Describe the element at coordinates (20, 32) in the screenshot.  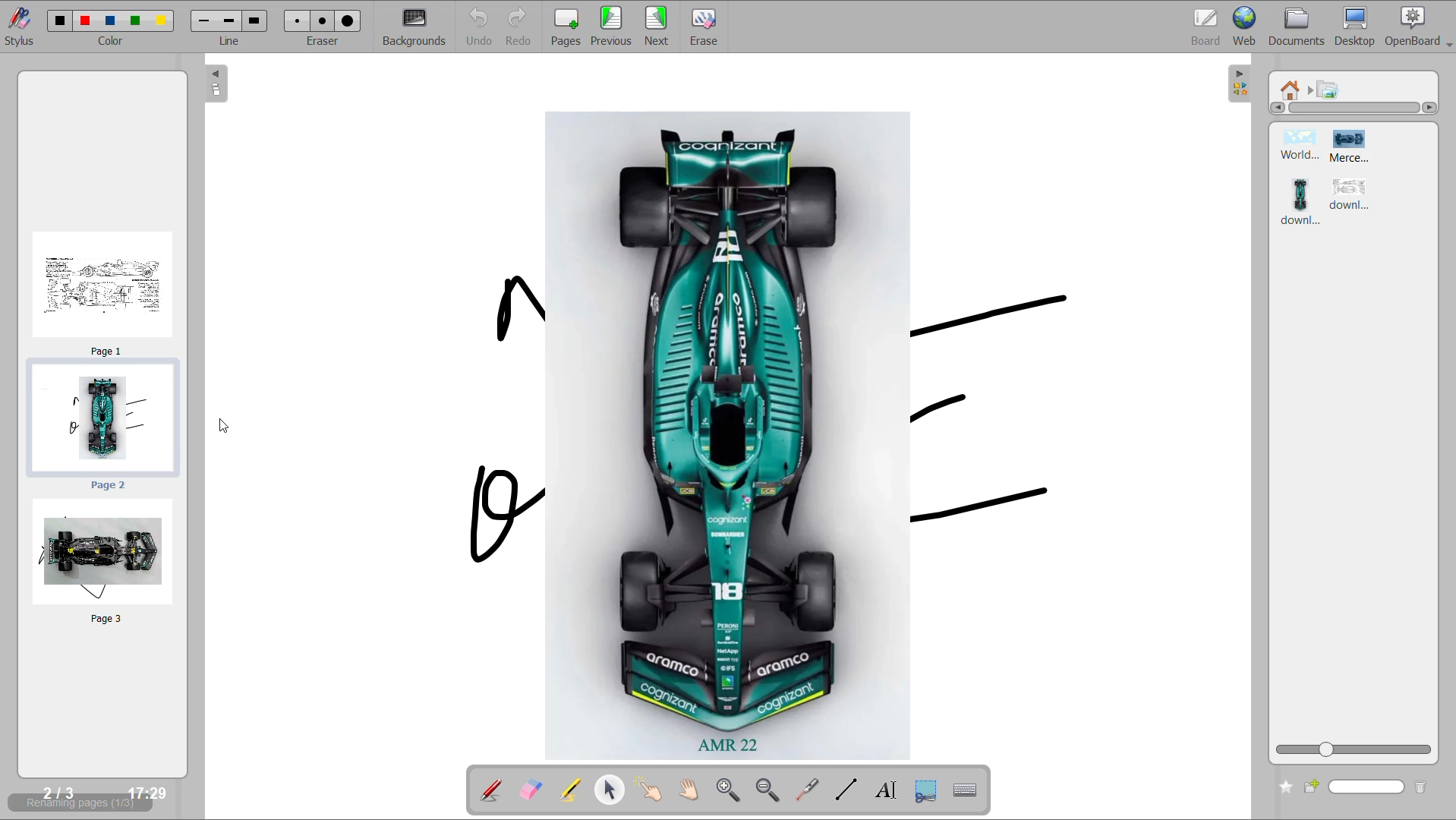
I see `stylus` at that location.